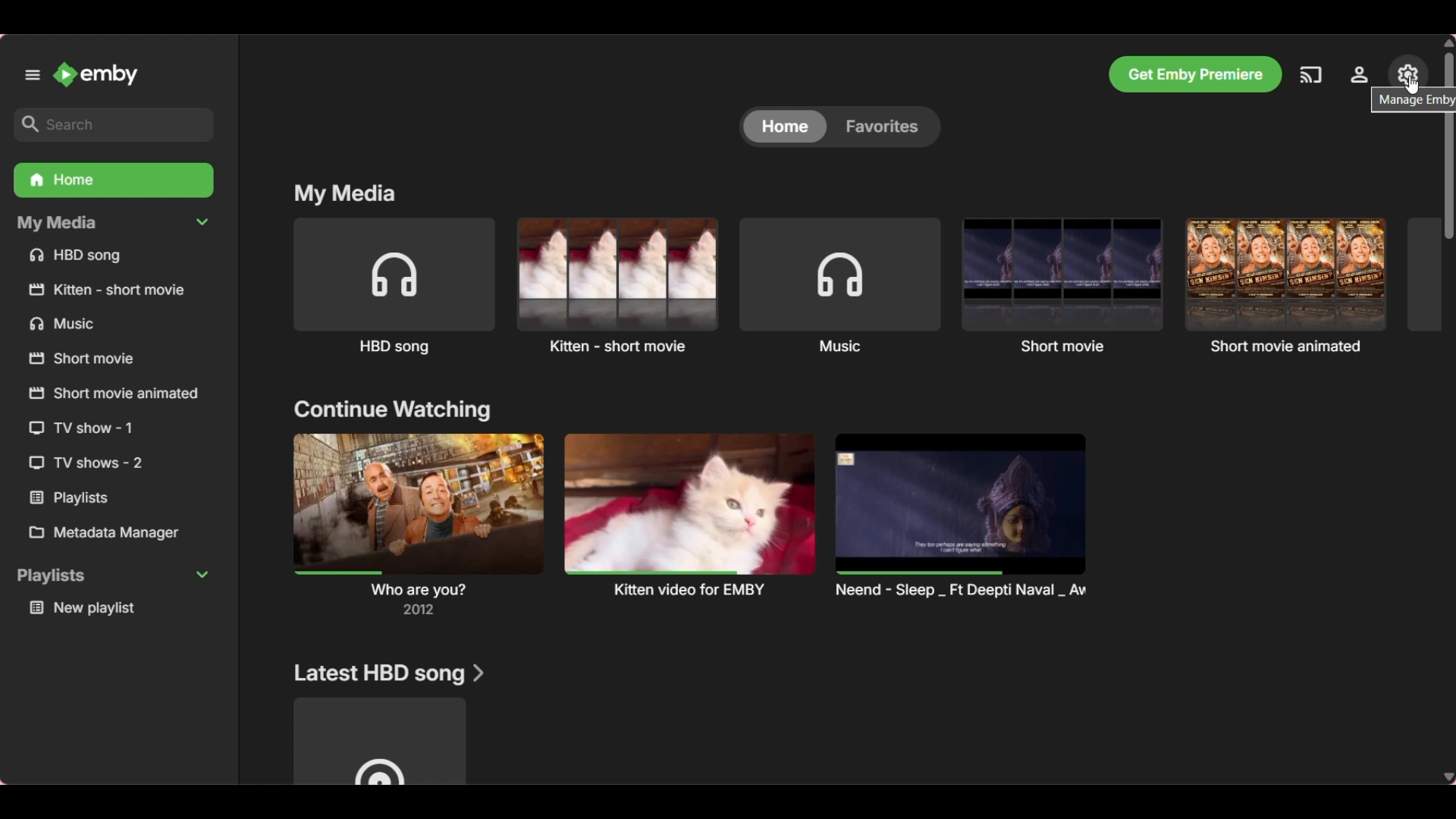 The image size is (1456, 819). I want to click on Get Emby premiere, so click(1196, 74).